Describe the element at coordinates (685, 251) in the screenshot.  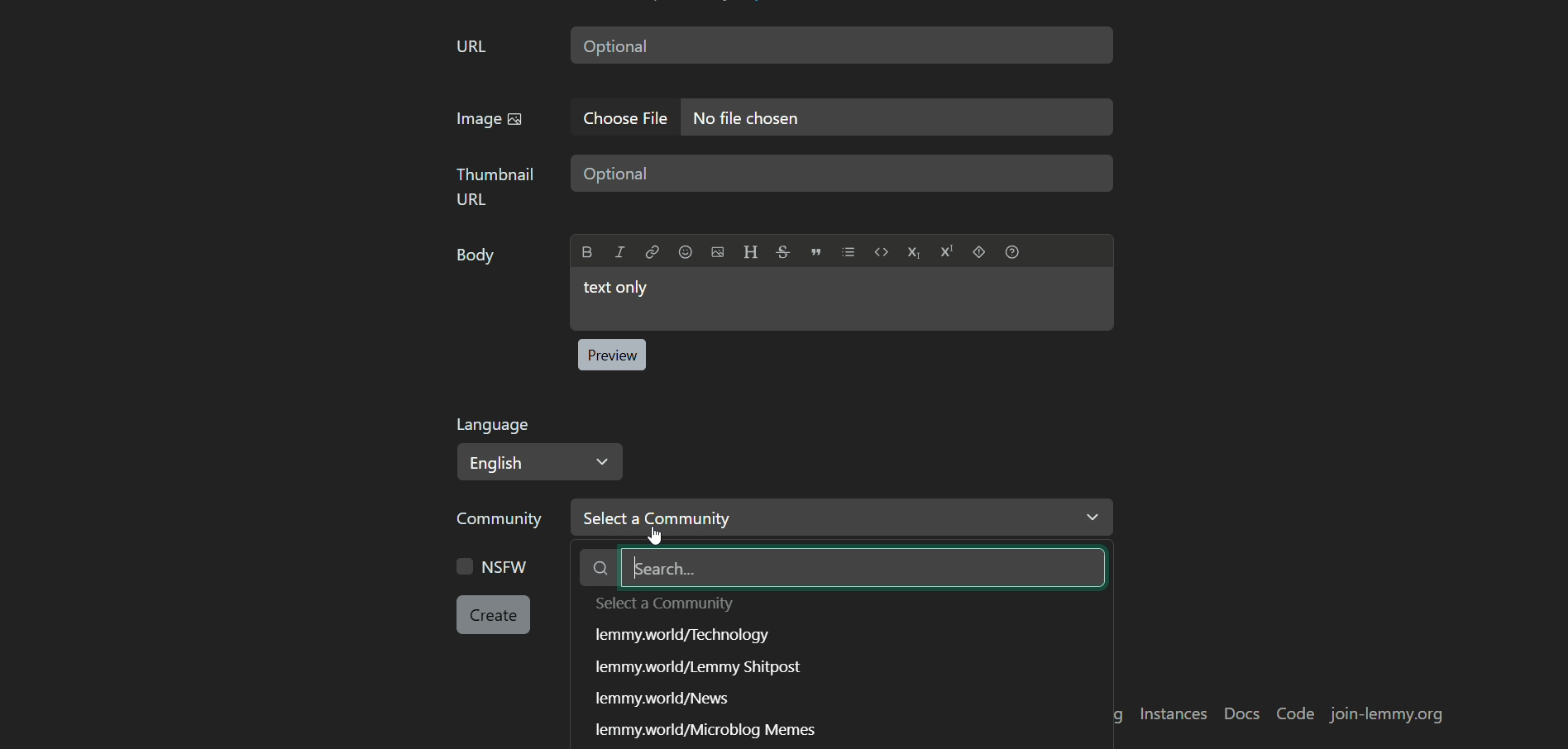
I see `Emoji` at that location.